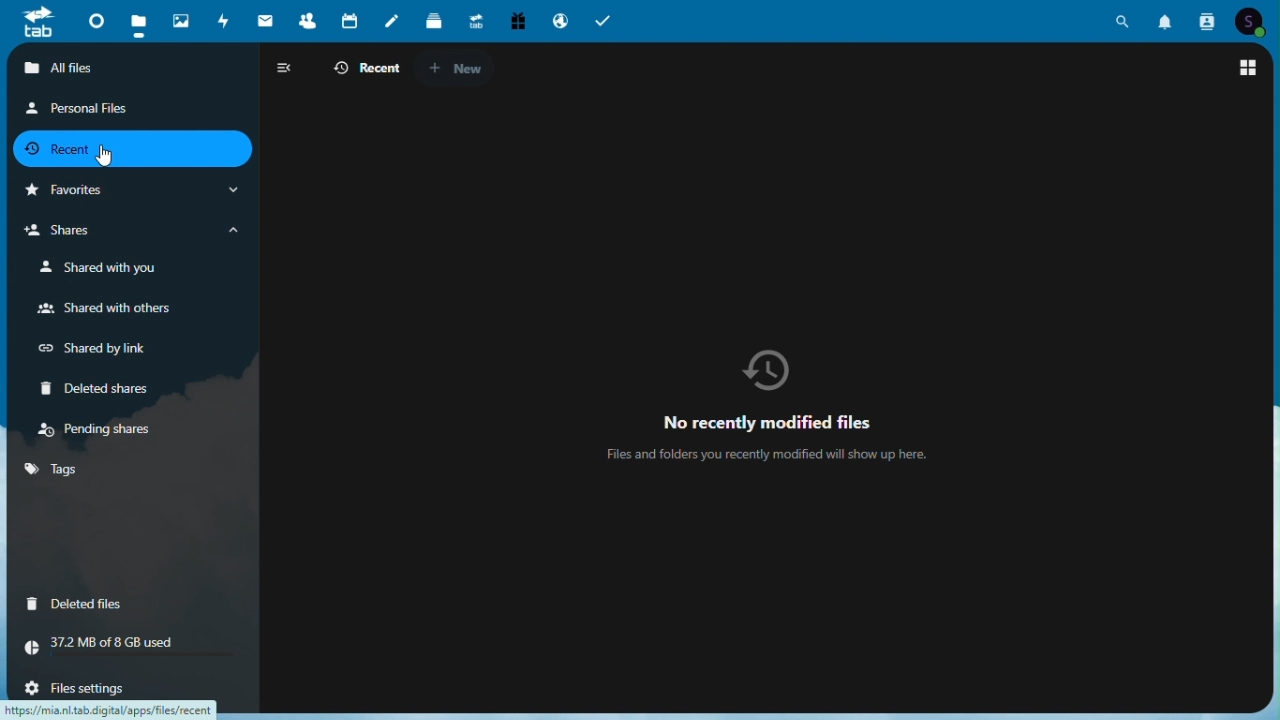 Image resolution: width=1280 pixels, height=720 pixels. What do you see at coordinates (130, 643) in the screenshot?
I see `Storage` at bounding box center [130, 643].